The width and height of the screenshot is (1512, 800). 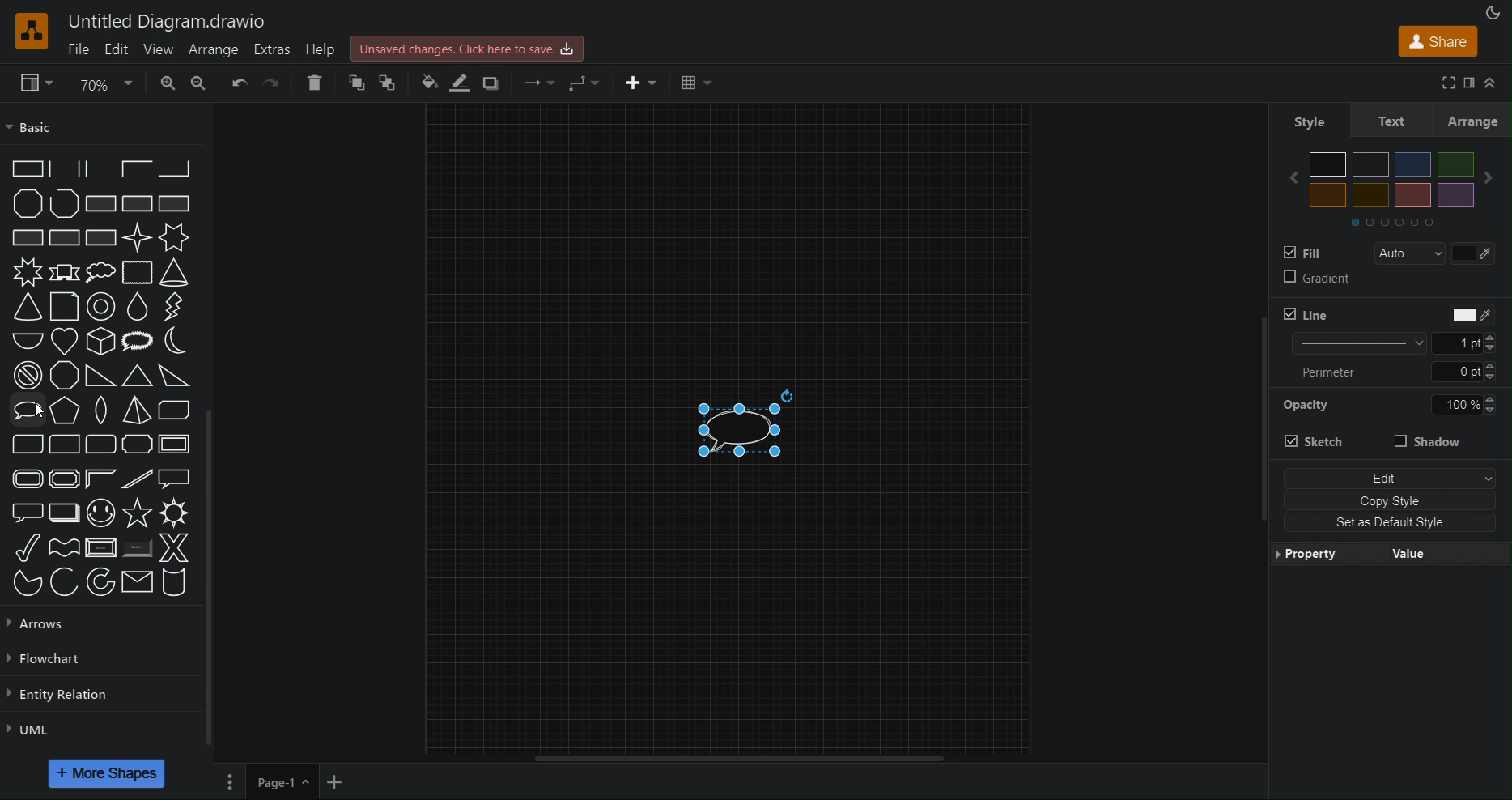 What do you see at coordinates (286, 780) in the screenshot?
I see `Page 1` at bounding box center [286, 780].